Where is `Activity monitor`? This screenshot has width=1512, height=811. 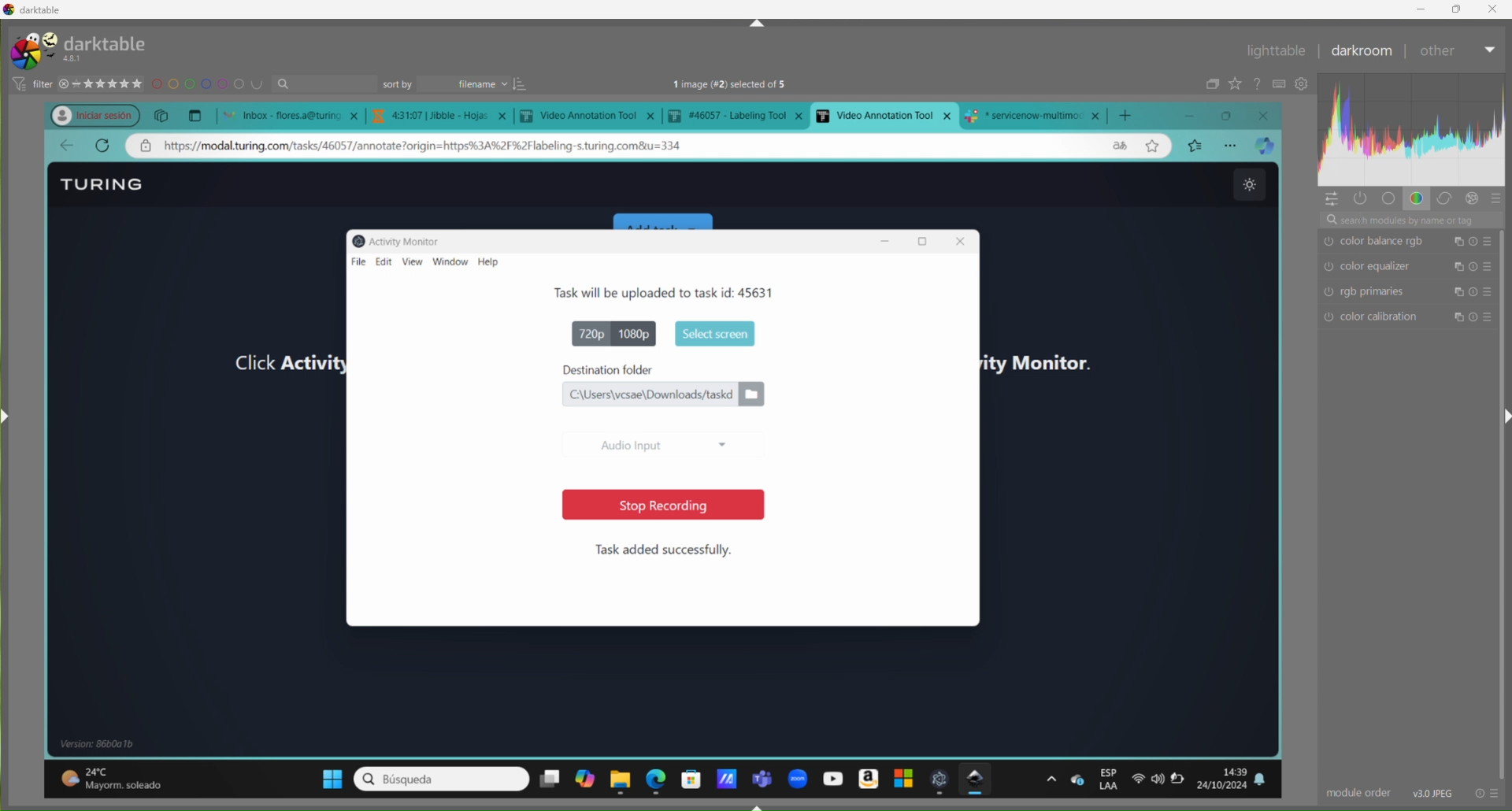 Activity monitor is located at coordinates (402, 239).